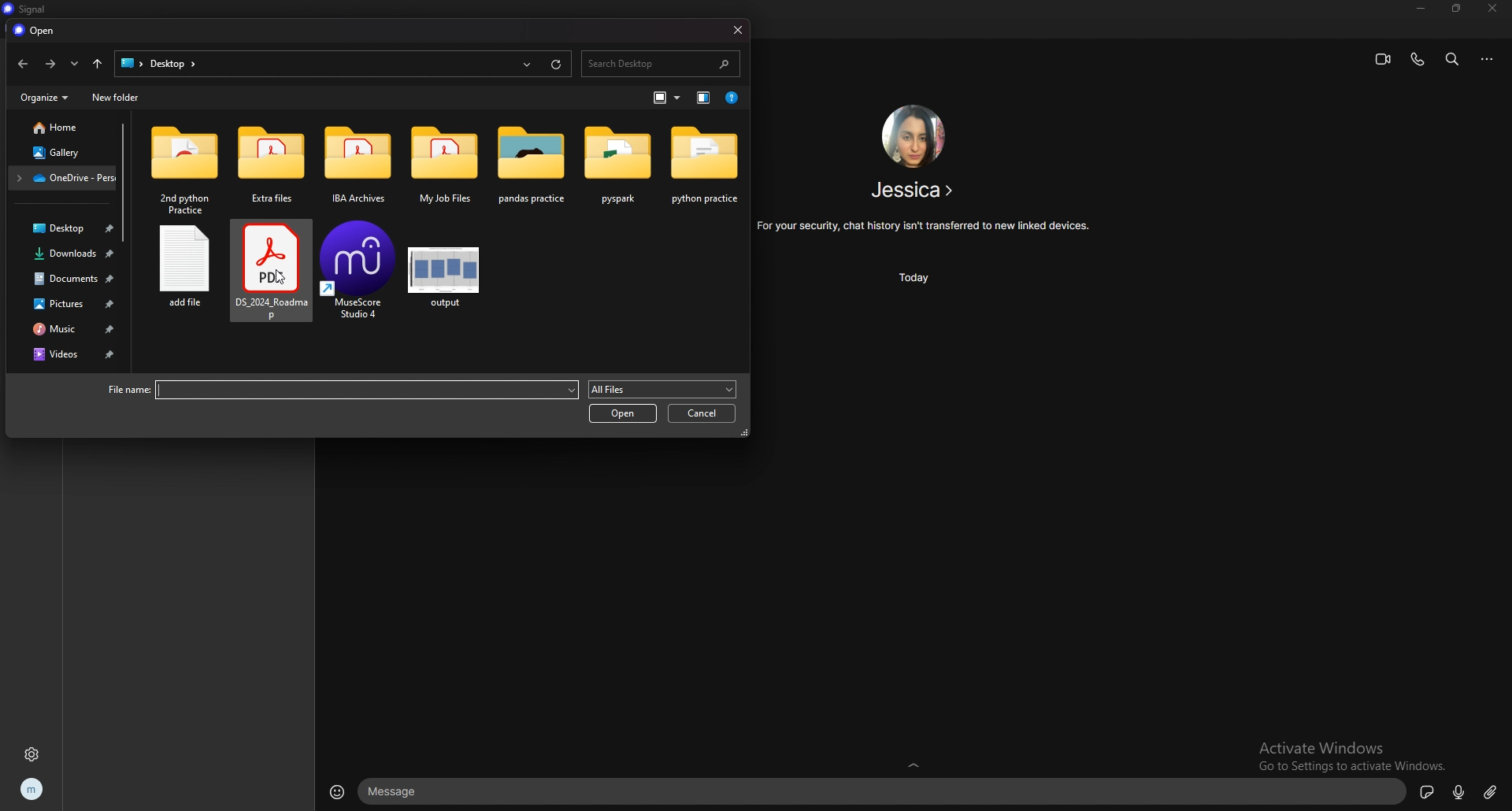  What do you see at coordinates (182, 278) in the screenshot?
I see `file` at bounding box center [182, 278].